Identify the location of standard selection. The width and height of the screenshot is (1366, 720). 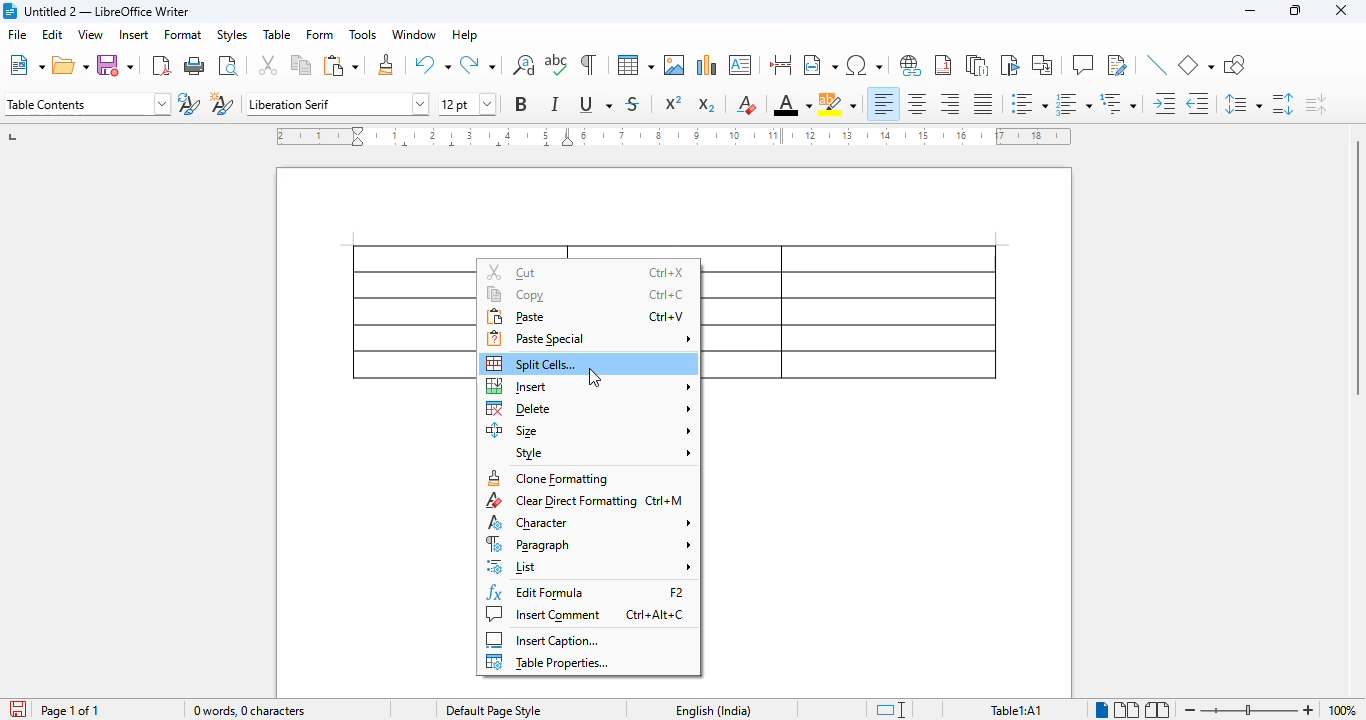
(890, 709).